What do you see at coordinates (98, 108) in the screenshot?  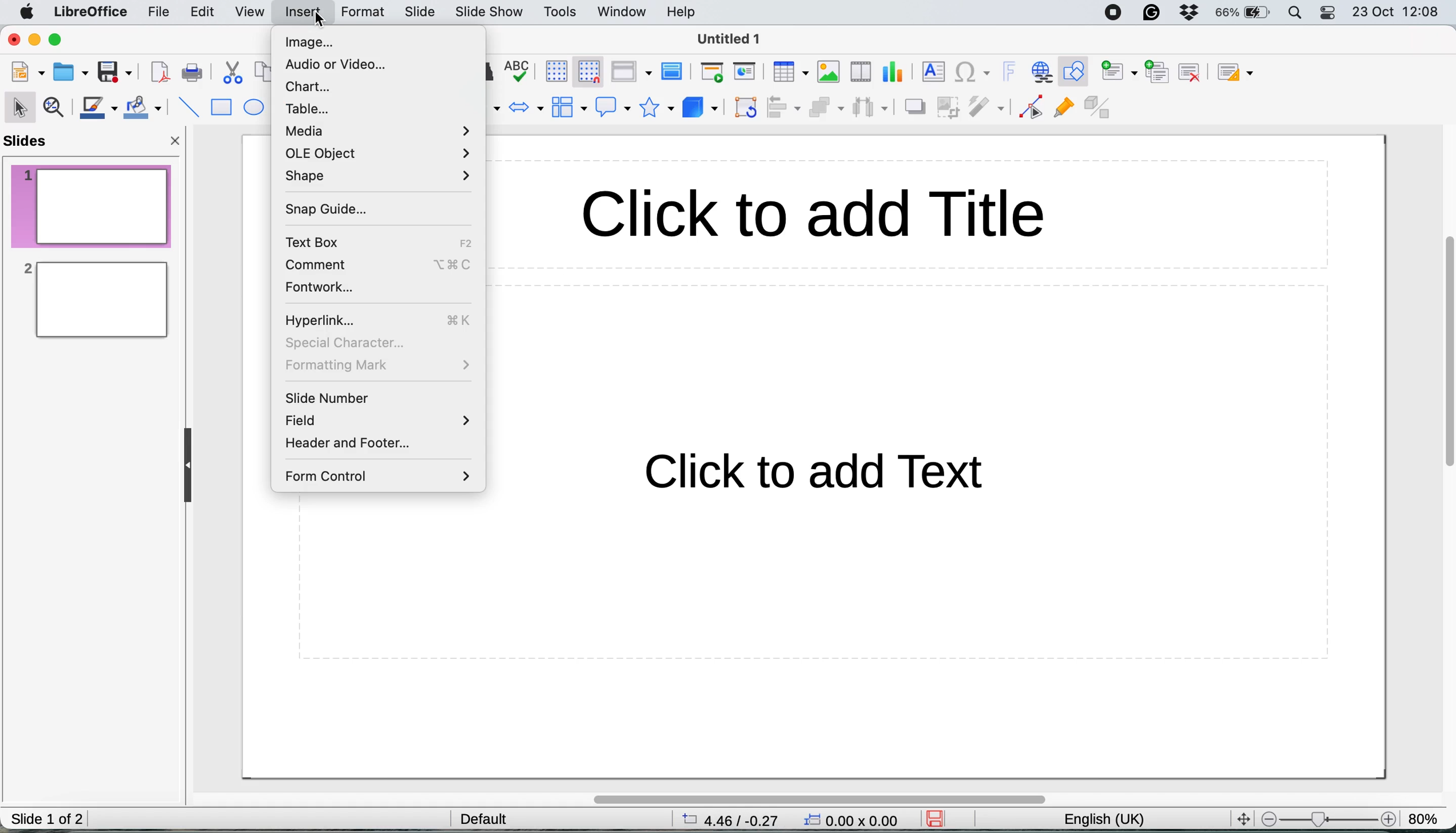 I see `line color` at bounding box center [98, 108].